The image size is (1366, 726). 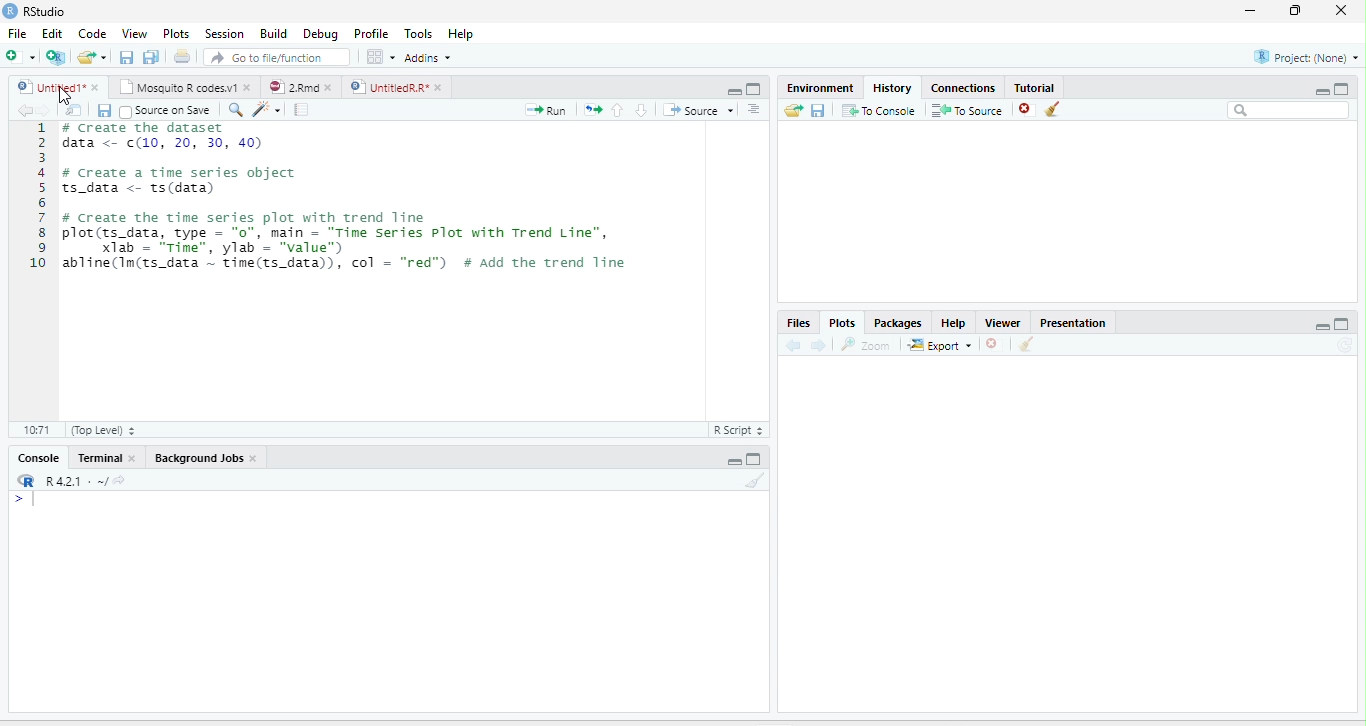 I want to click on Go to file/function, so click(x=277, y=57).